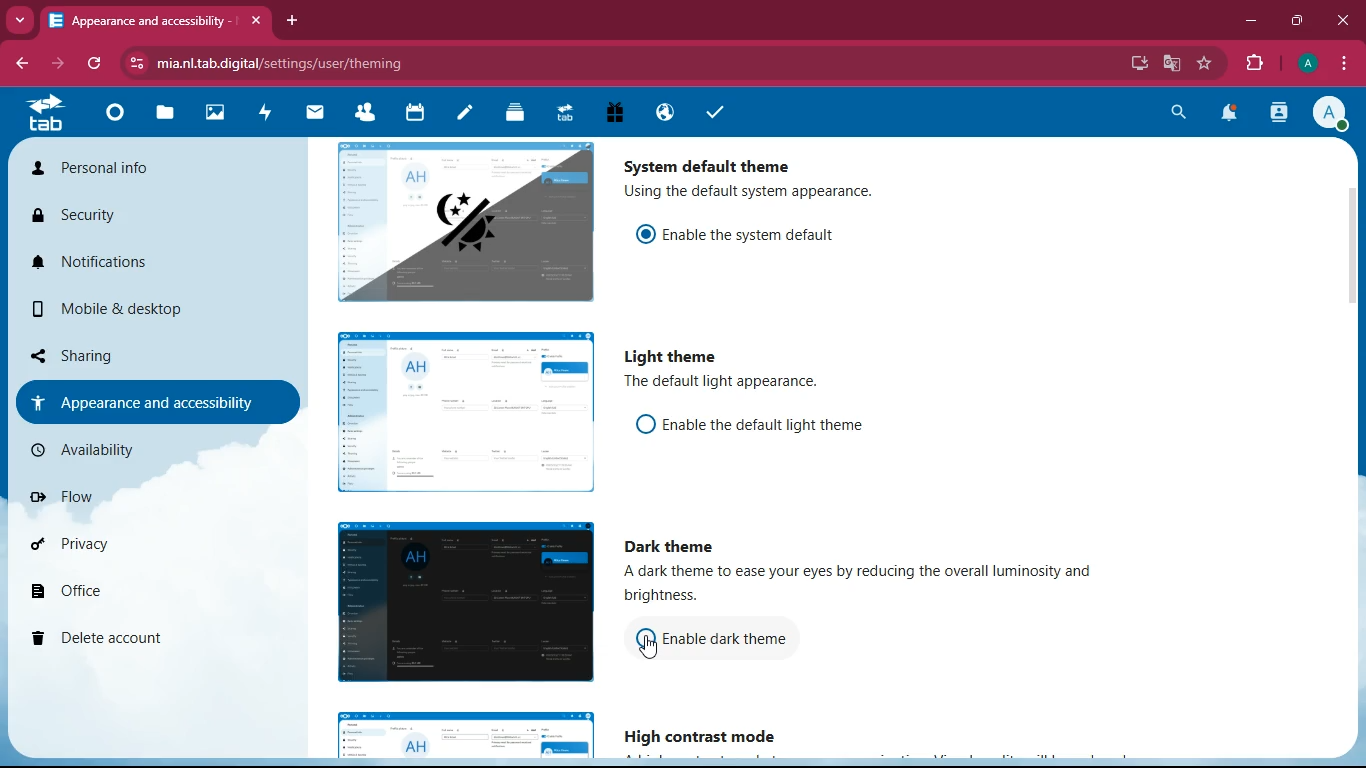  Describe the element at coordinates (647, 233) in the screenshot. I see `on` at that location.